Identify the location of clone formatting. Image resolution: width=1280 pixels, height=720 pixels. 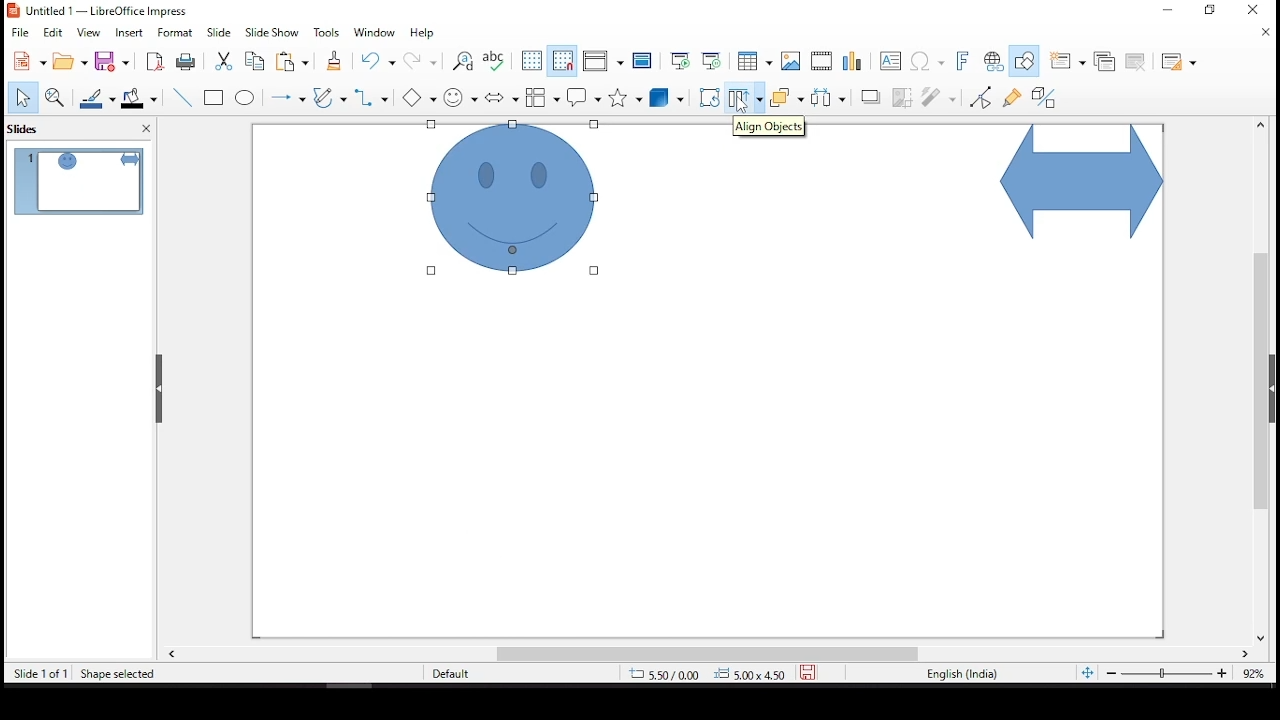
(333, 65).